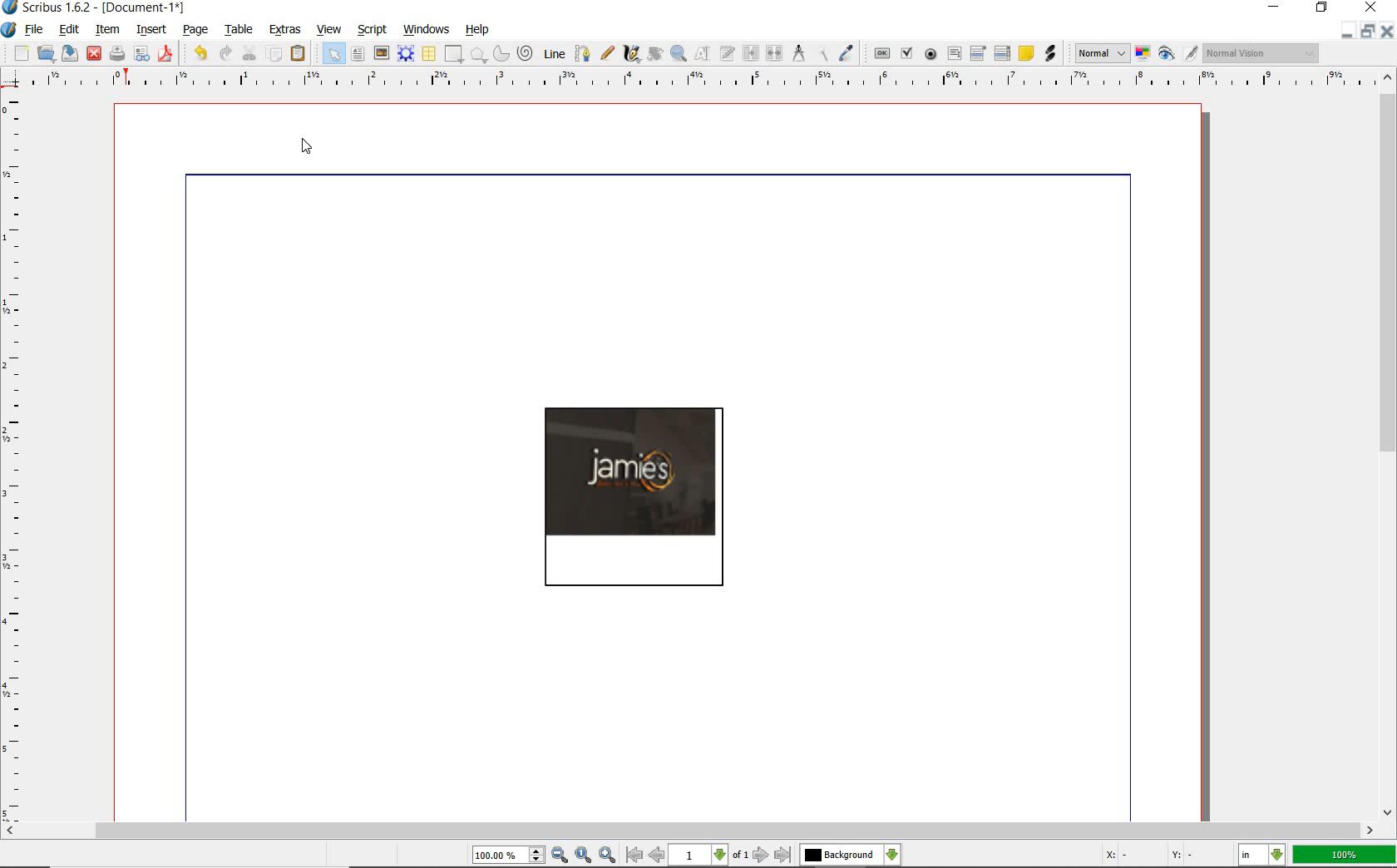 The image size is (1397, 868). What do you see at coordinates (634, 856) in the screenshot?
I see `First Page` at bounding box center [634, 856].